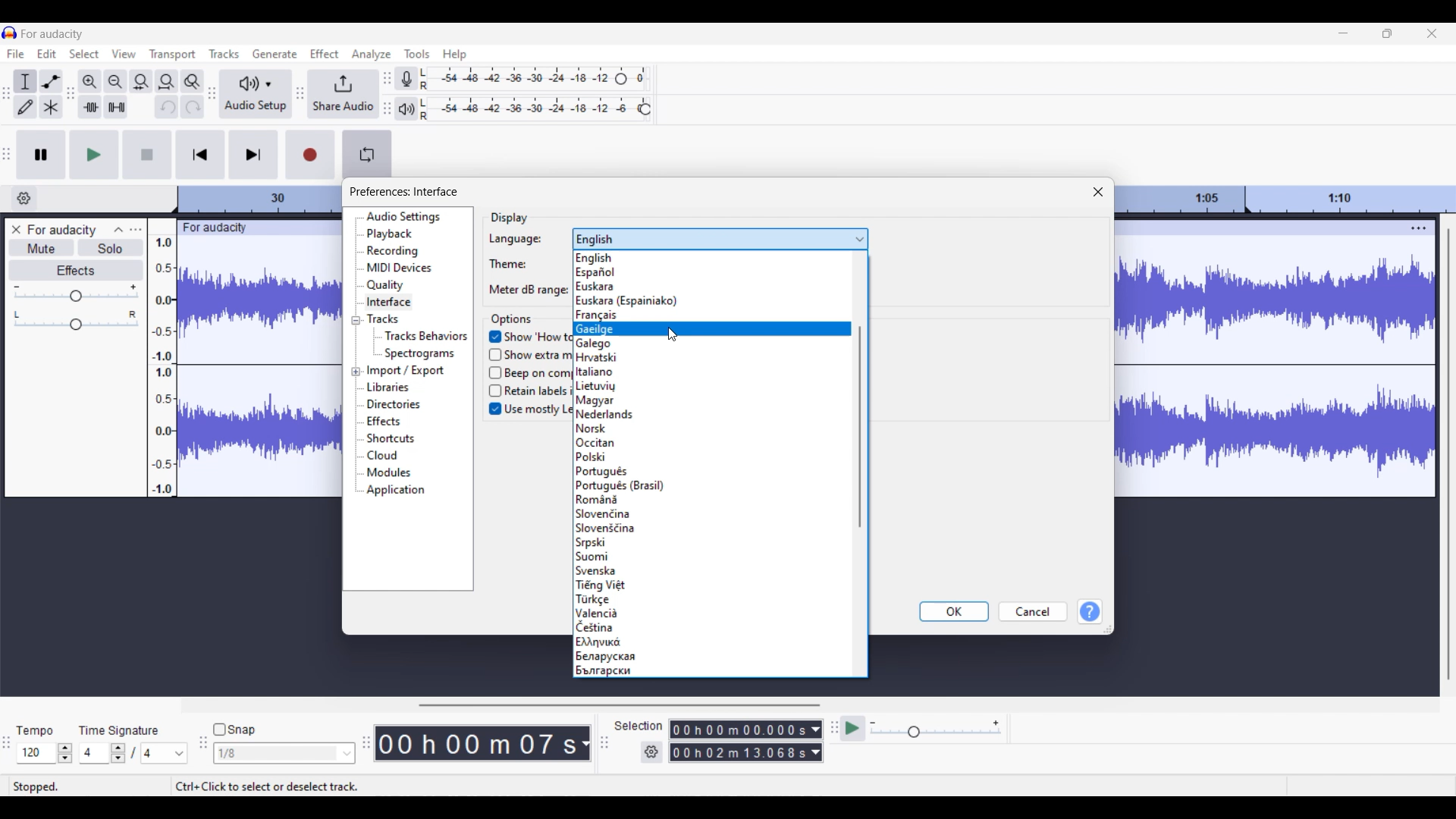 This screenshot has height=819, width=1456. I want to click on Skip/Select to start, so click(201, 155).